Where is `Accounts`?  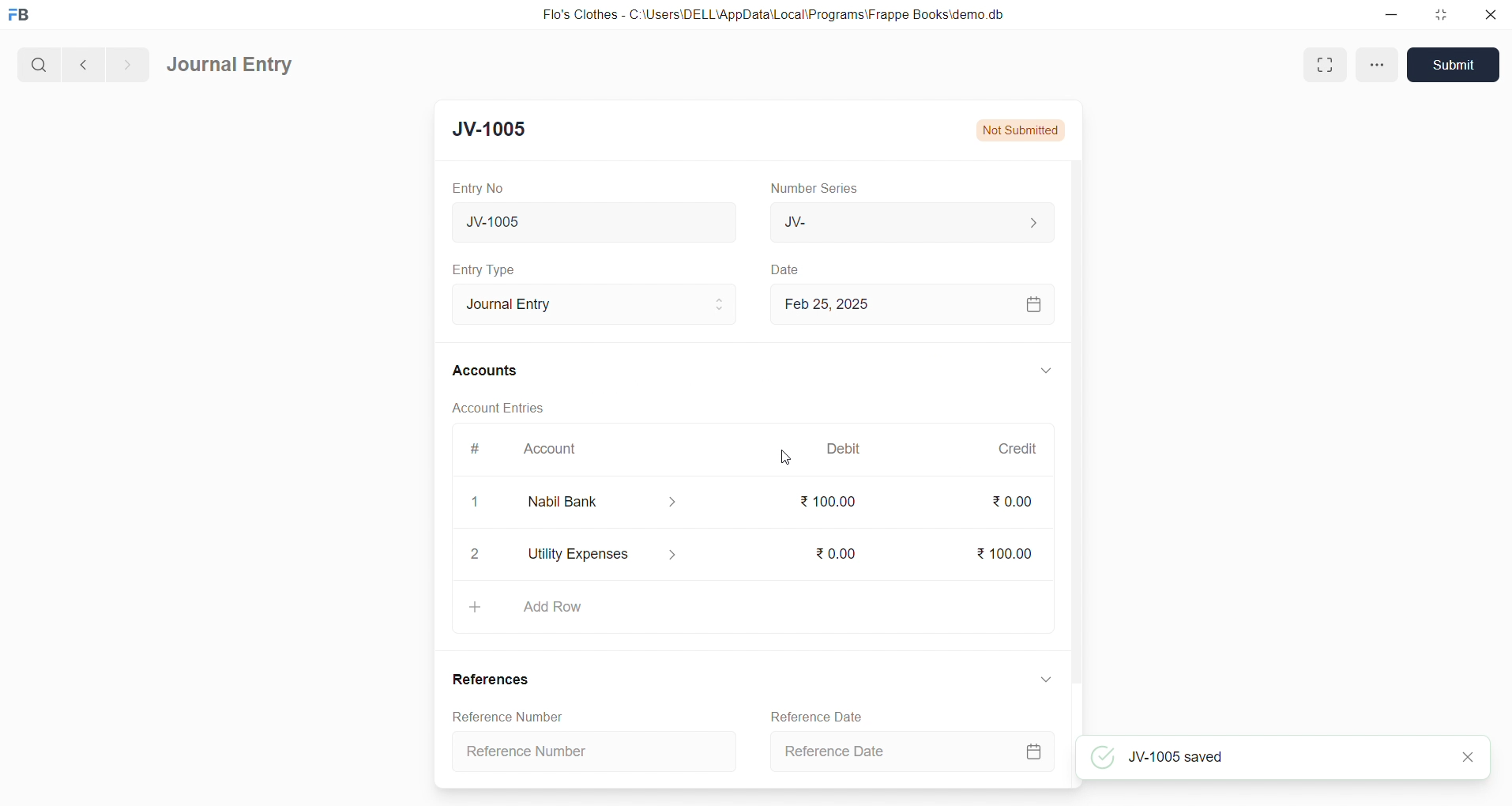 Accounts is located at coordinates (486, 372).